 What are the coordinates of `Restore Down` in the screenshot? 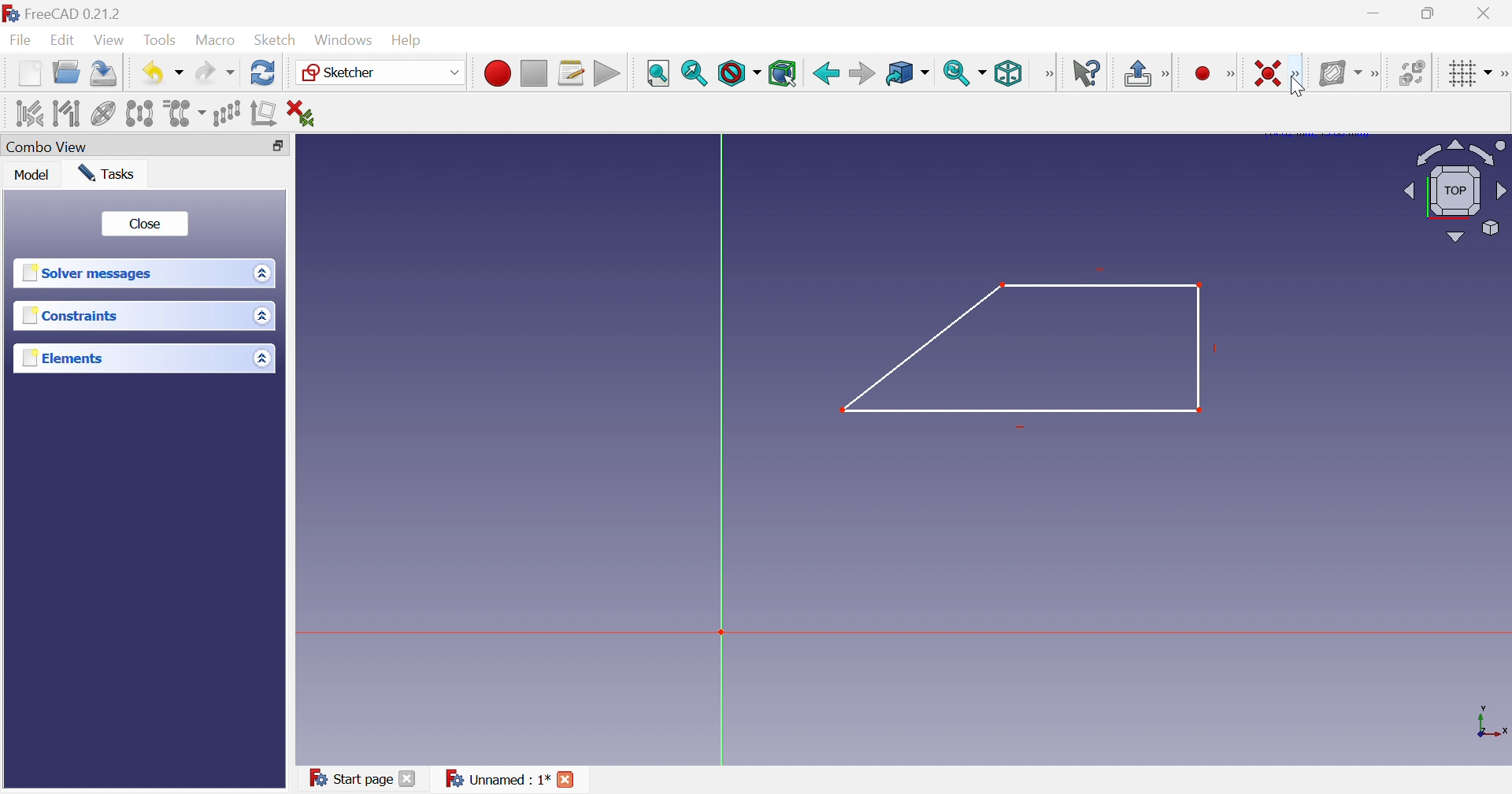 It's located at (1430, 13).